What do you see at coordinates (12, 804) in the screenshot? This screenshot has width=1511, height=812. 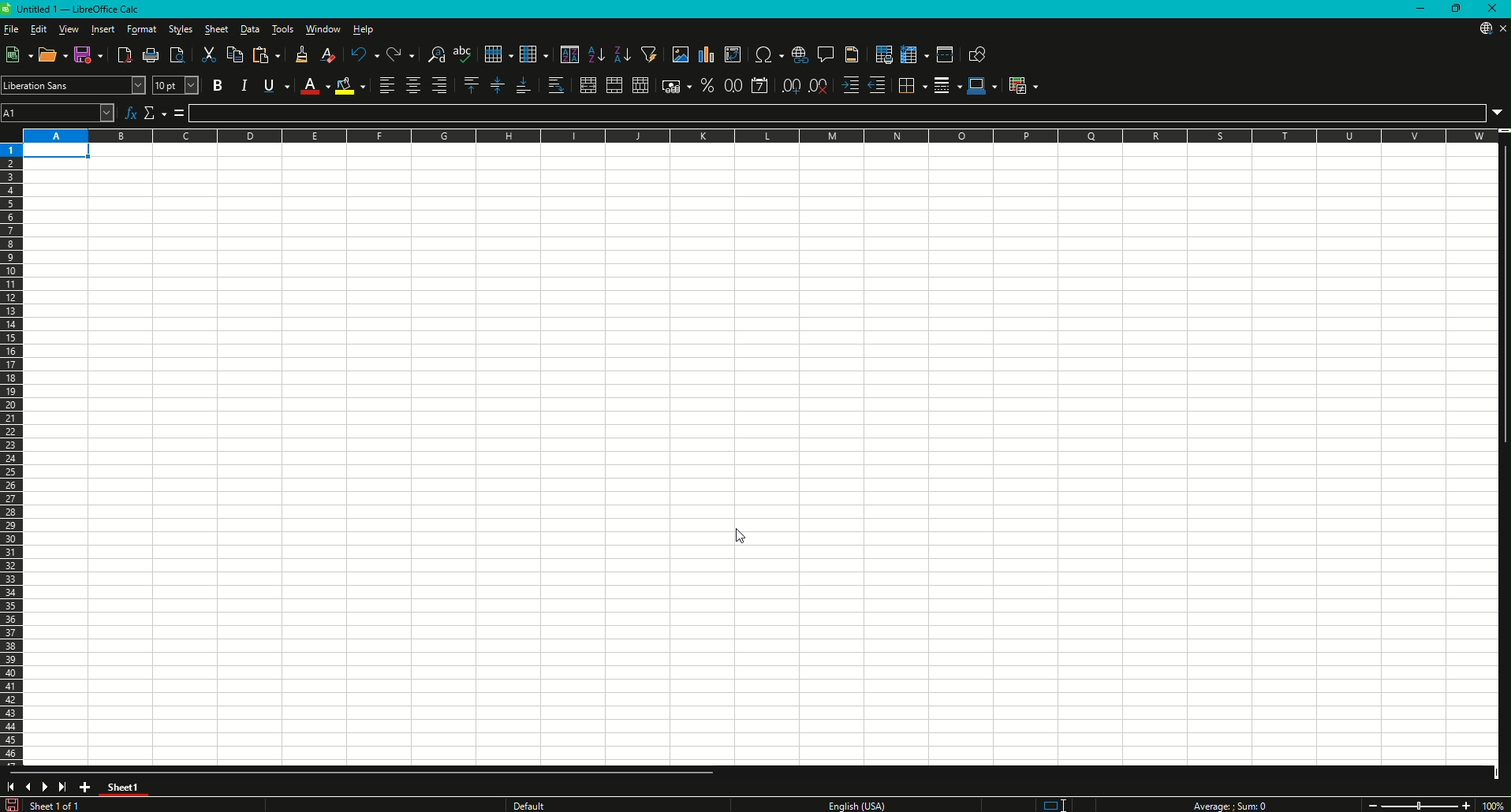 I see `Save changes` at bounding box center [12, 804].